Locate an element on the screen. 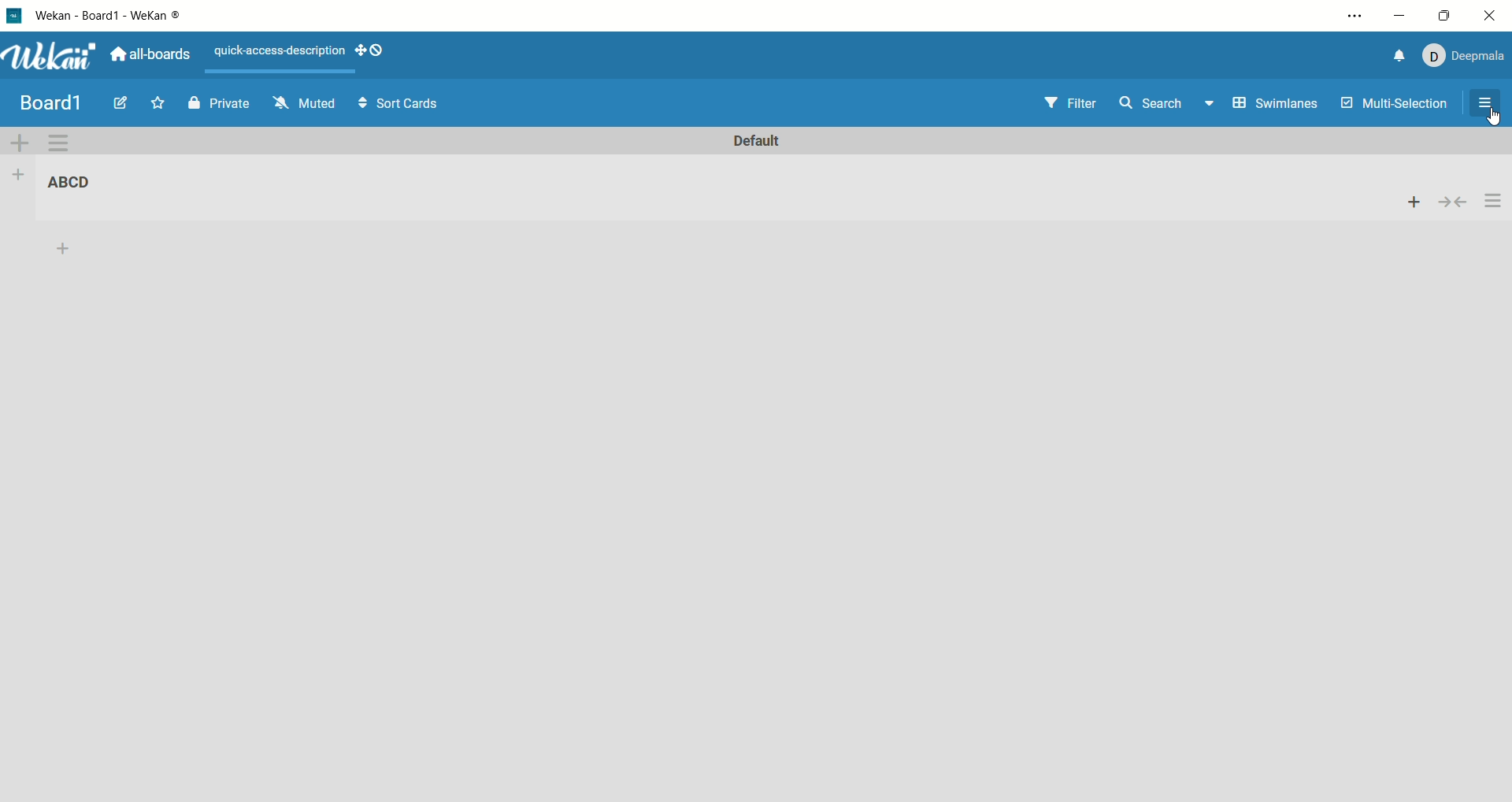  cursor is located at coordinates (1493, 122).